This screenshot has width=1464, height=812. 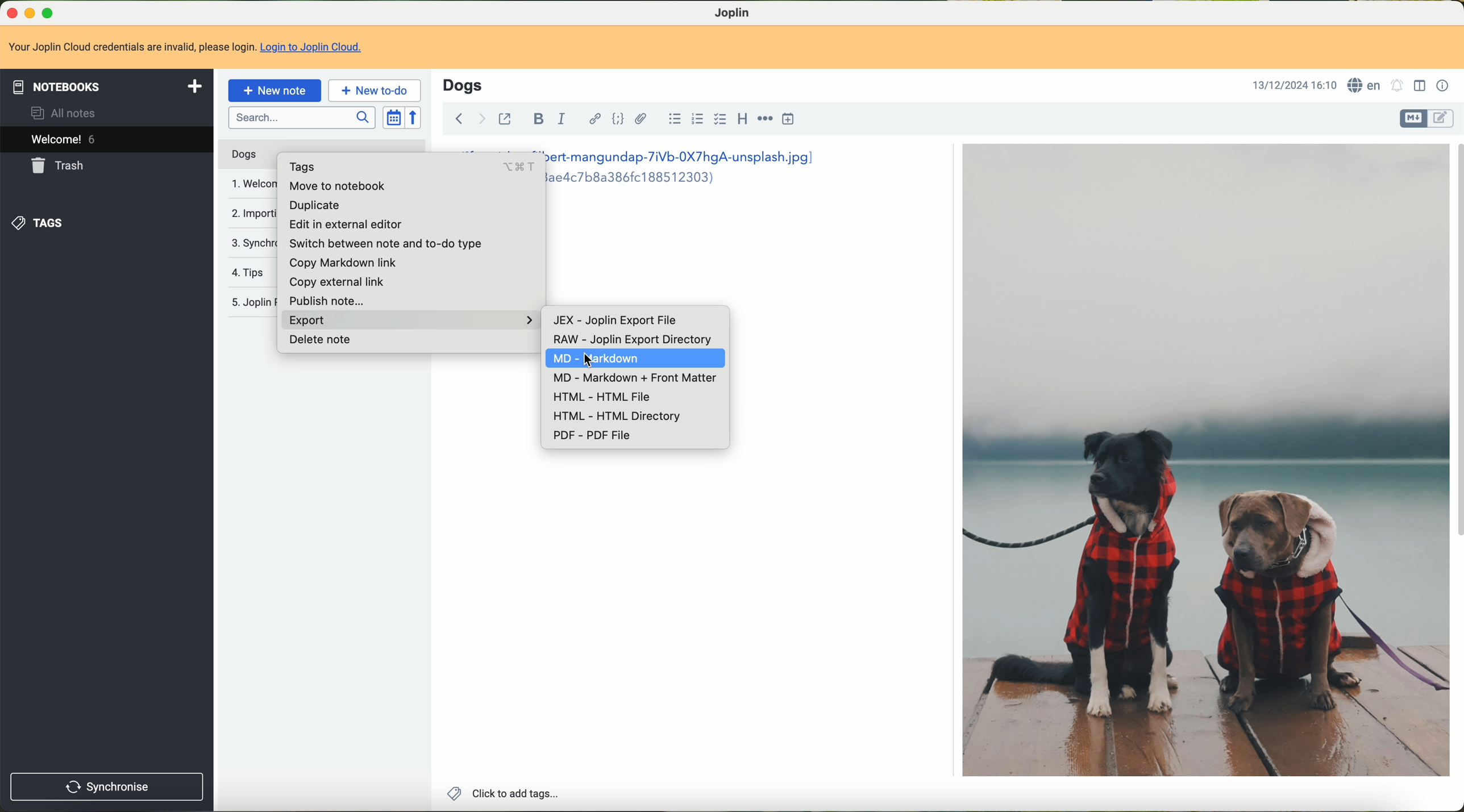 What do you see at coordinates (249, 182) in the screenshot?
I see `welcome note` at bounding box center [249, 182].